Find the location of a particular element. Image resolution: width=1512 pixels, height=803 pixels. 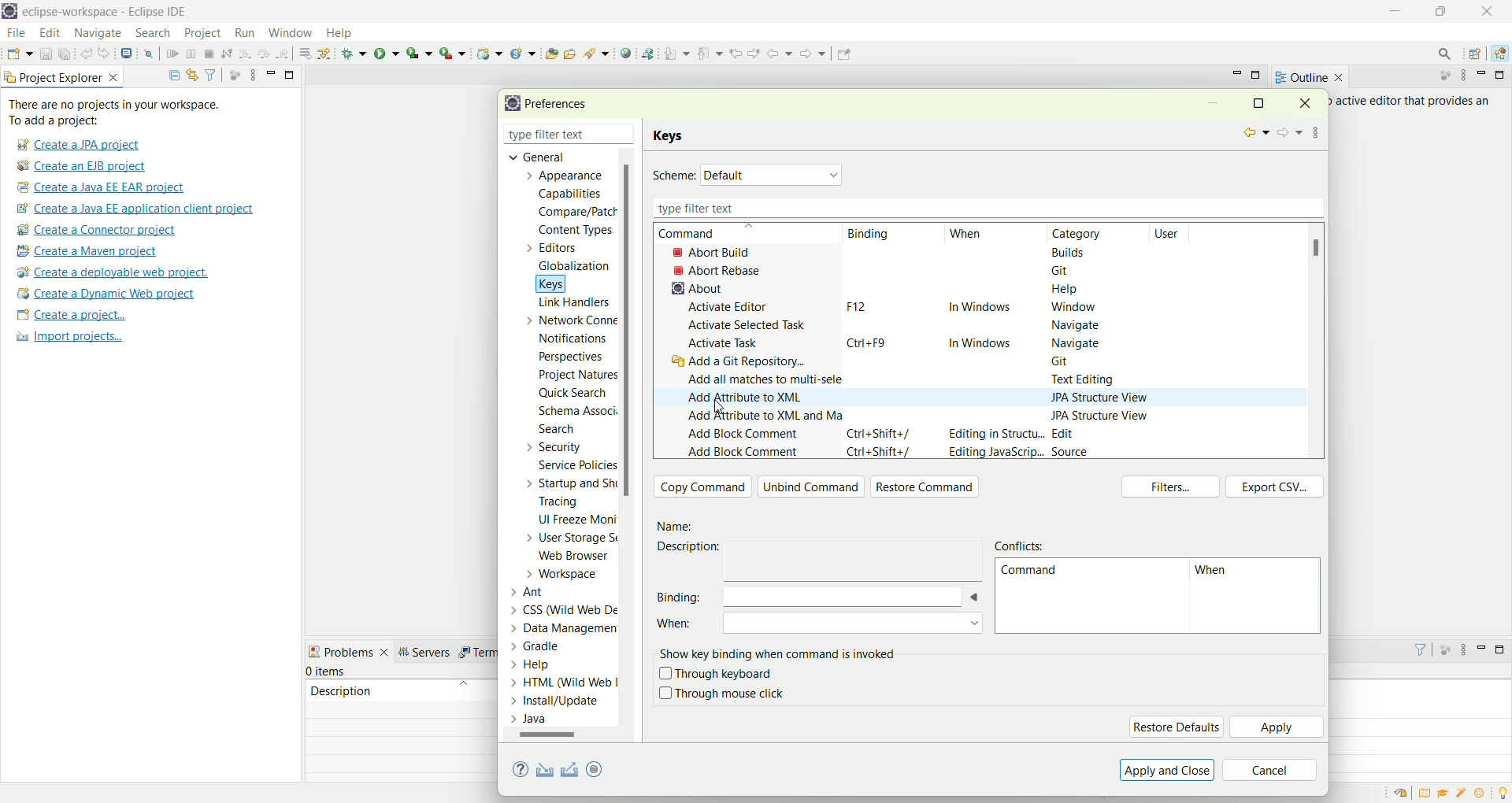

tip of the day is located at coordinates (1503, 791).